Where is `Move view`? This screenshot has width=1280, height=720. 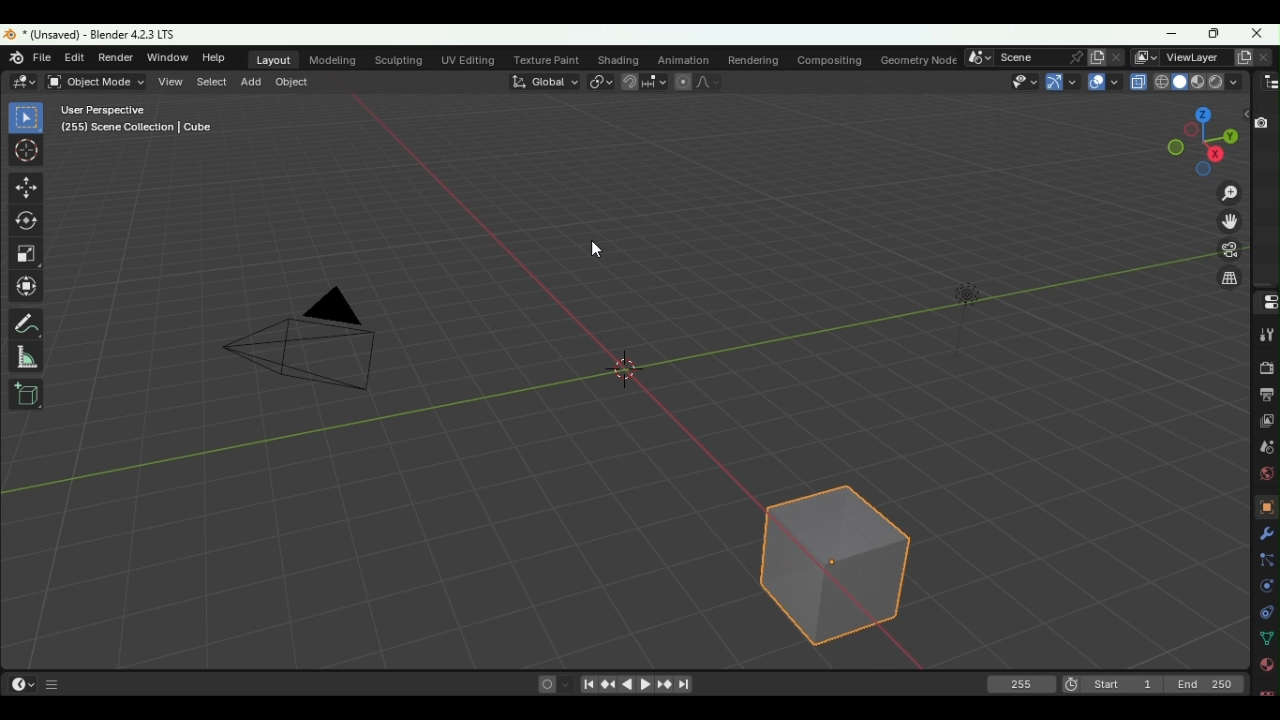 Move view is located at coordinates (1228, 222).